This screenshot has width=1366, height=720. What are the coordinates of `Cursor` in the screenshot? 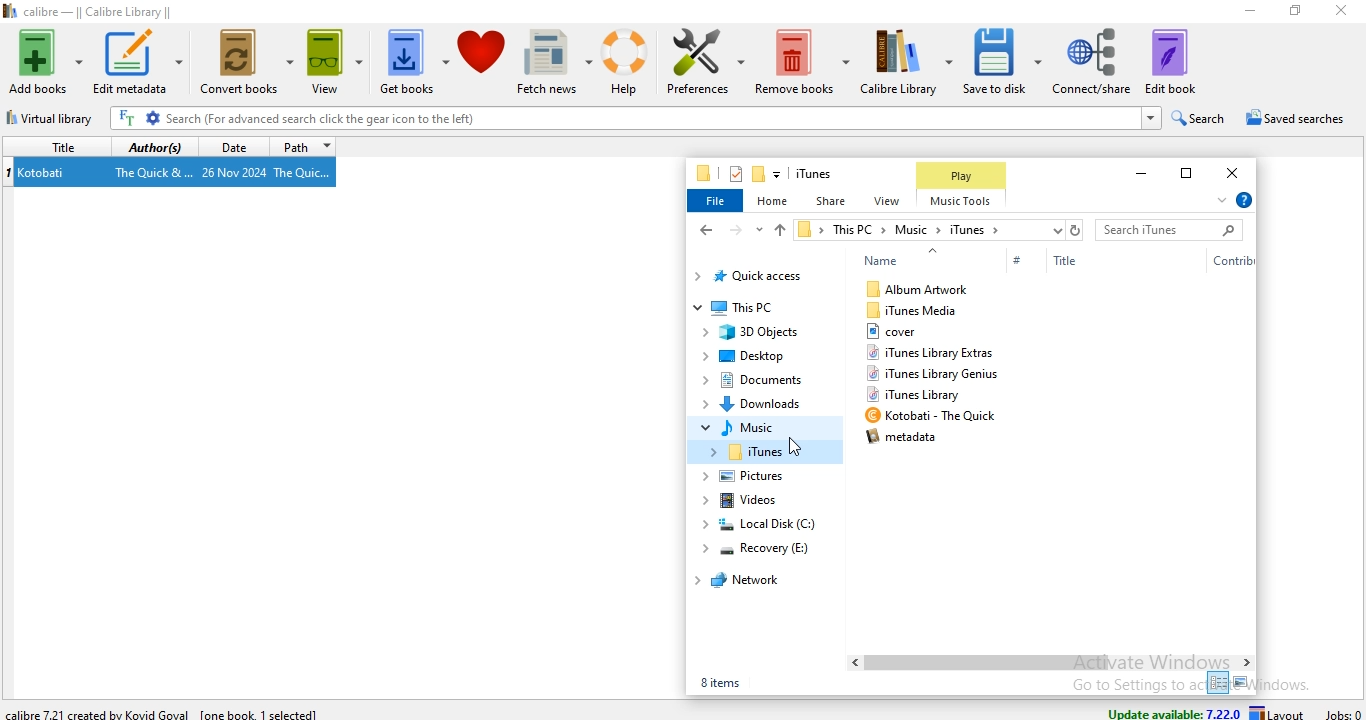 It's located at (793, 449).